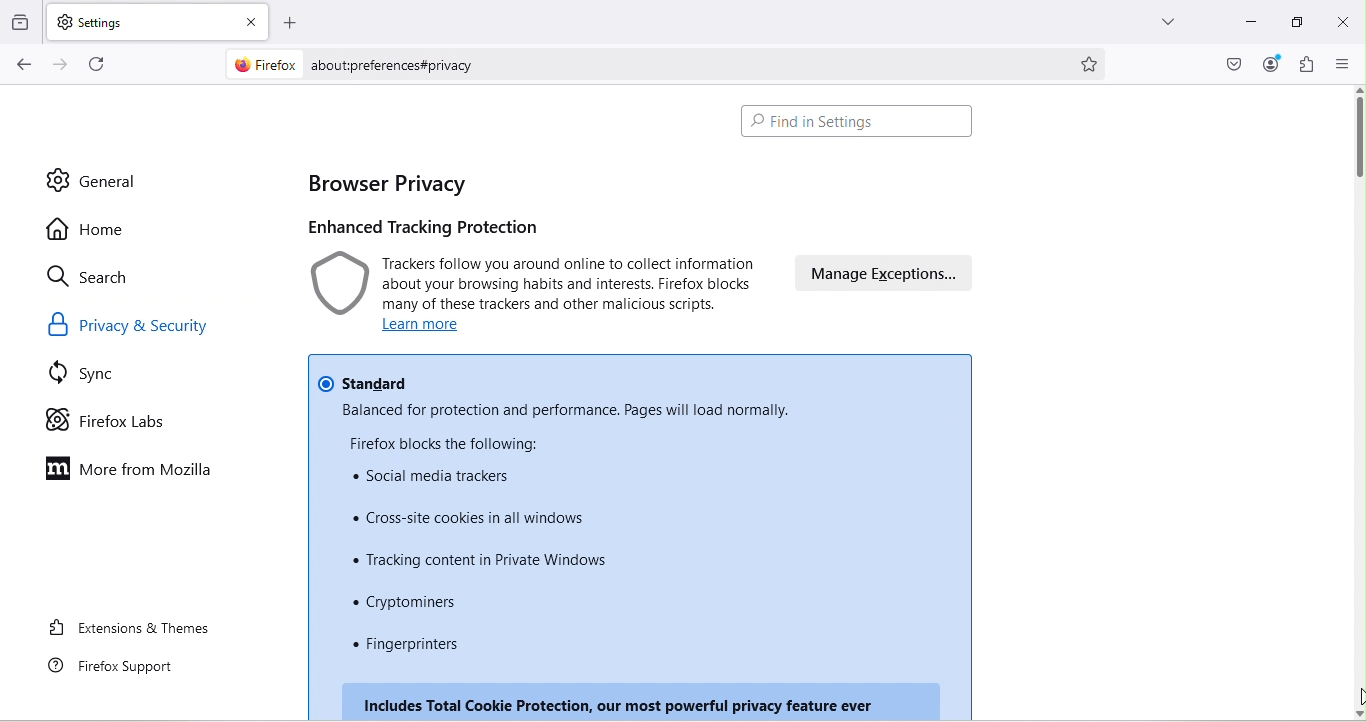 Image resolution: width=1366 pixels, height=722 pixels. What do you see at coordinates (466, 514) in the screenshot?
I see `Cross-site cookies in all windows` at bounding box center [466, 514].